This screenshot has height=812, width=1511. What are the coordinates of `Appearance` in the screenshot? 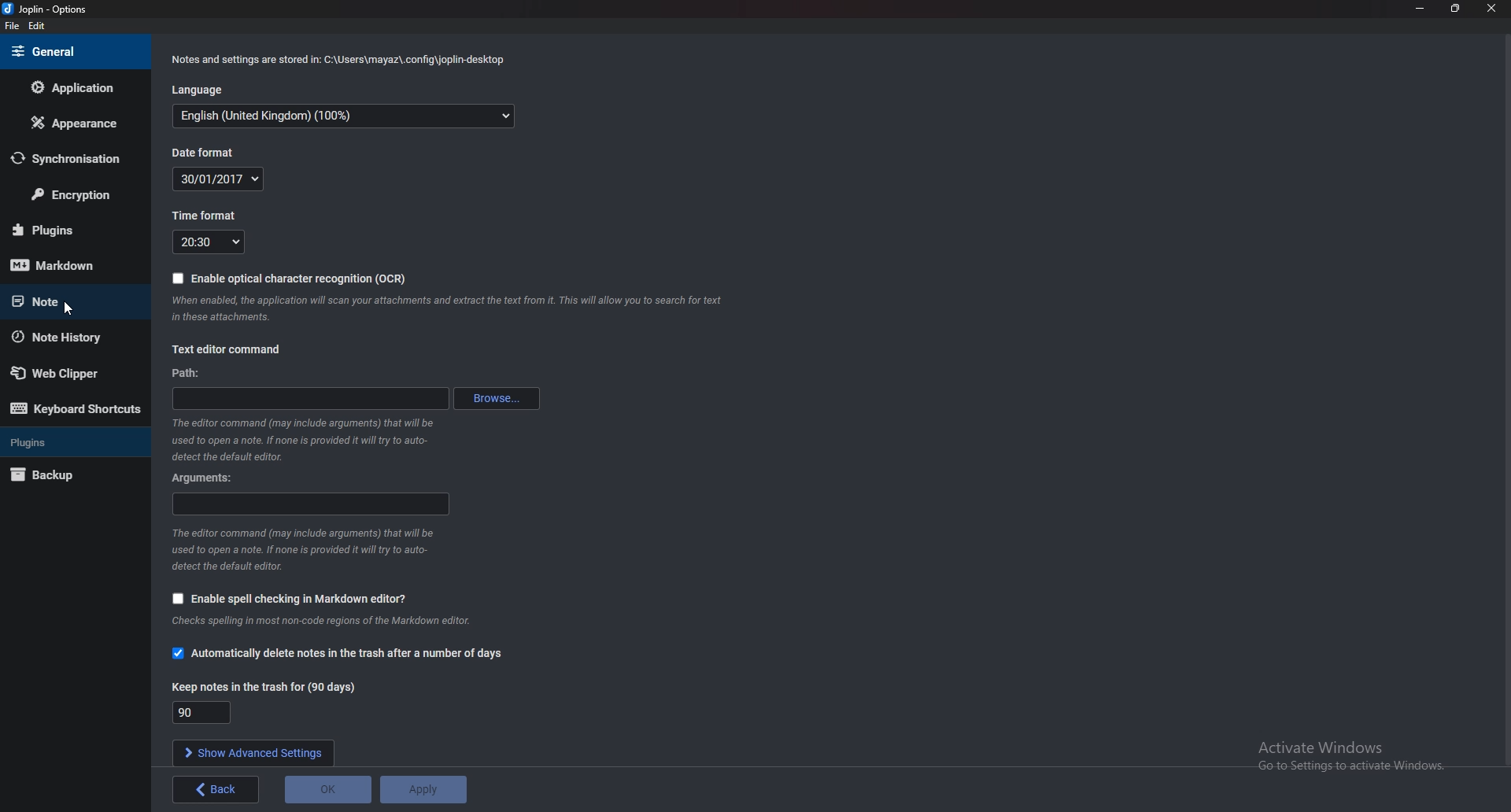 It's located at (72, 124).